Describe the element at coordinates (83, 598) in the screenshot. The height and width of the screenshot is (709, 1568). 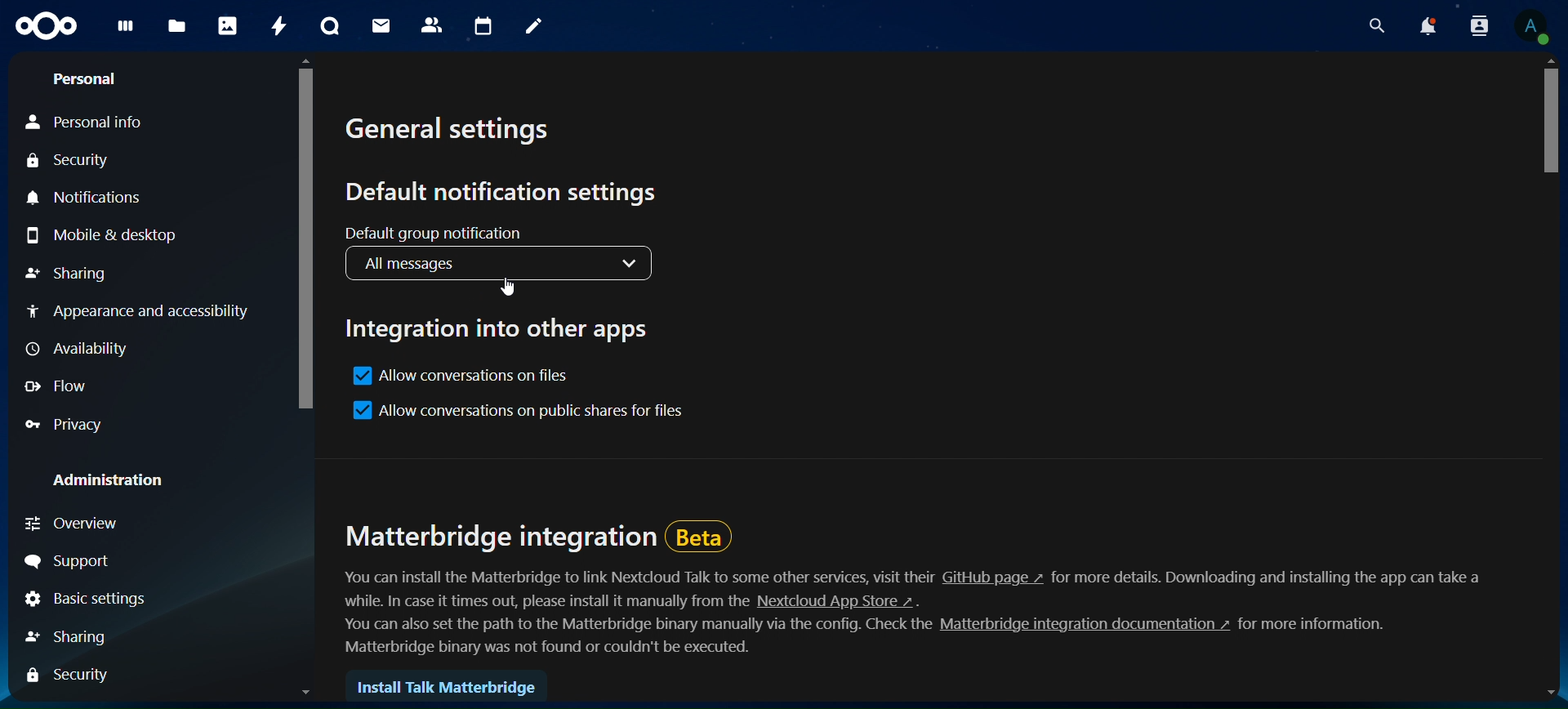
I see `basic settings` at that location.